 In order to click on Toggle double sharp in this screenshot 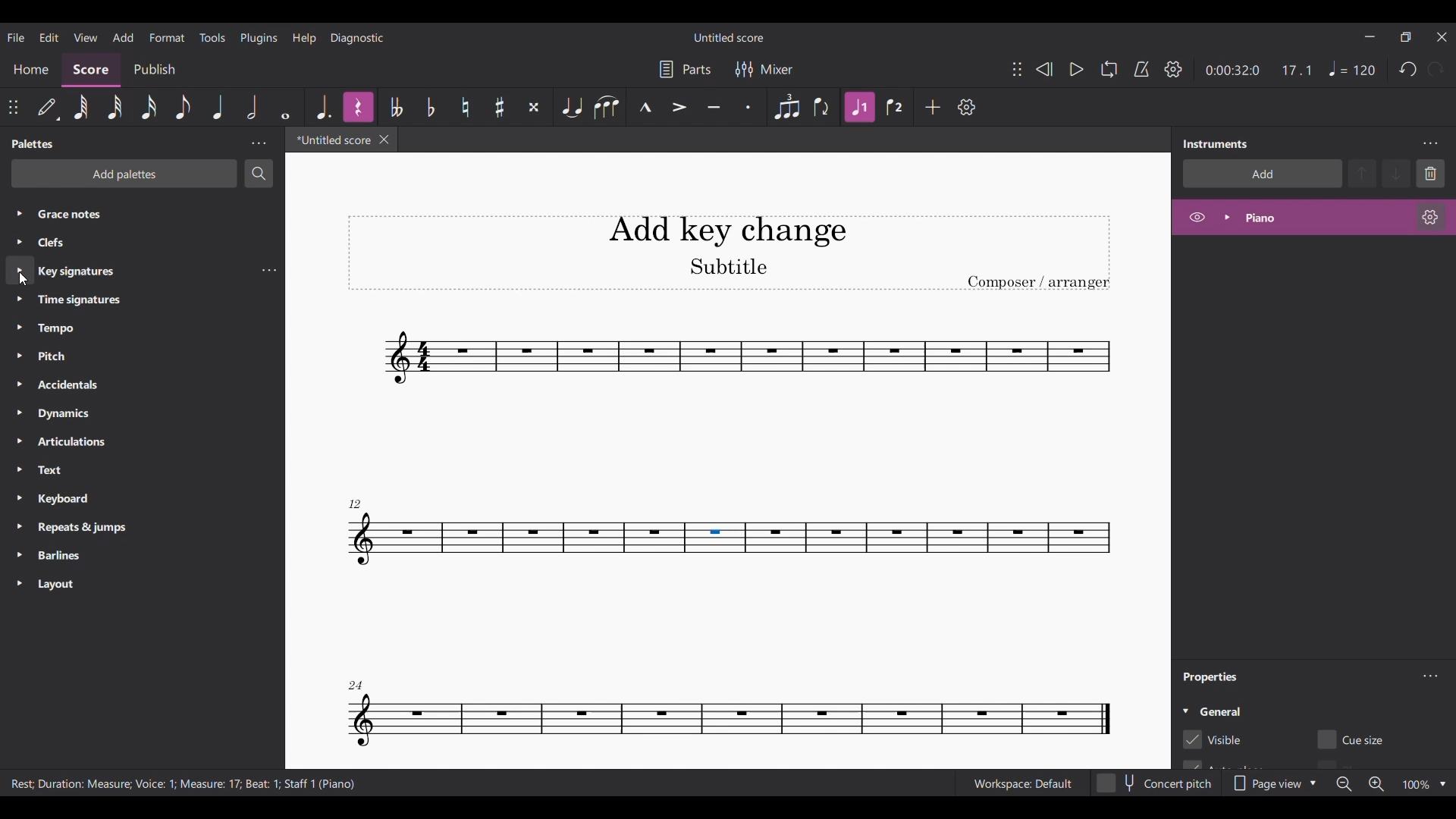, I will do `click(534, 106)`.